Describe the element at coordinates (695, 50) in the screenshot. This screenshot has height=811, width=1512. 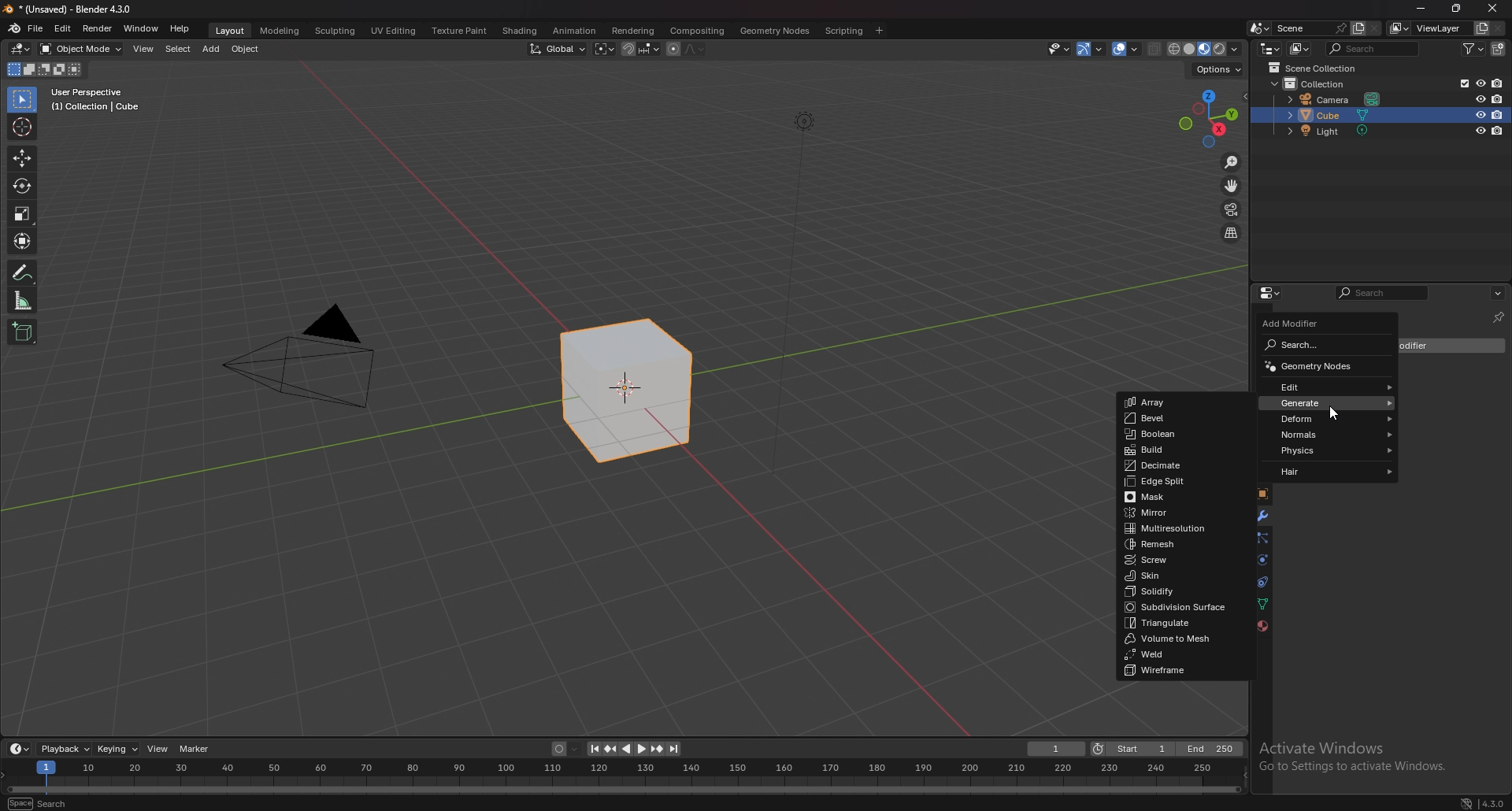
I see `proportional editing fall off` at that location.